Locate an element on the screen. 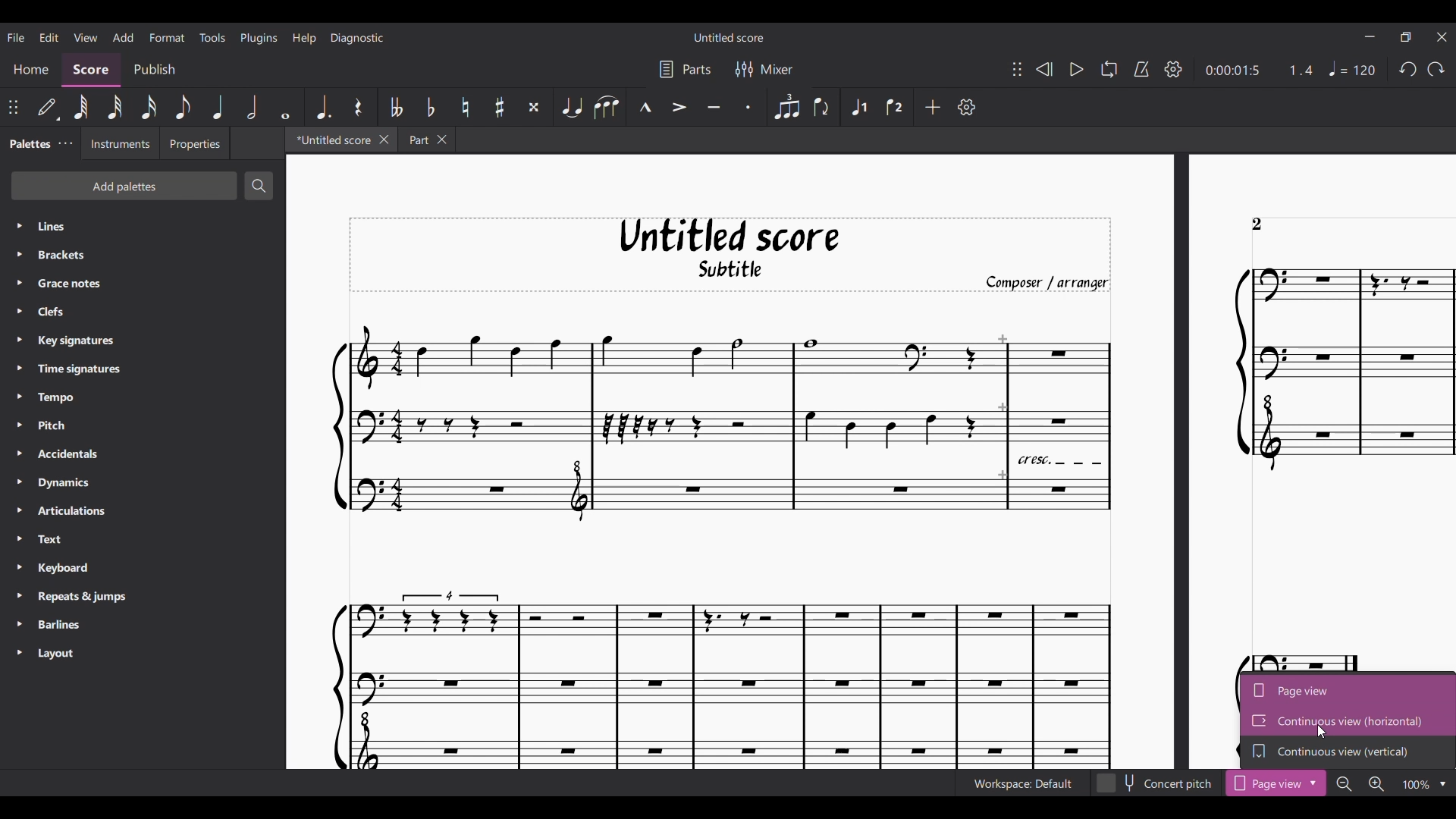 This screenshot has width=1456, height=819. 16th note is located at coordinates (149, 107).